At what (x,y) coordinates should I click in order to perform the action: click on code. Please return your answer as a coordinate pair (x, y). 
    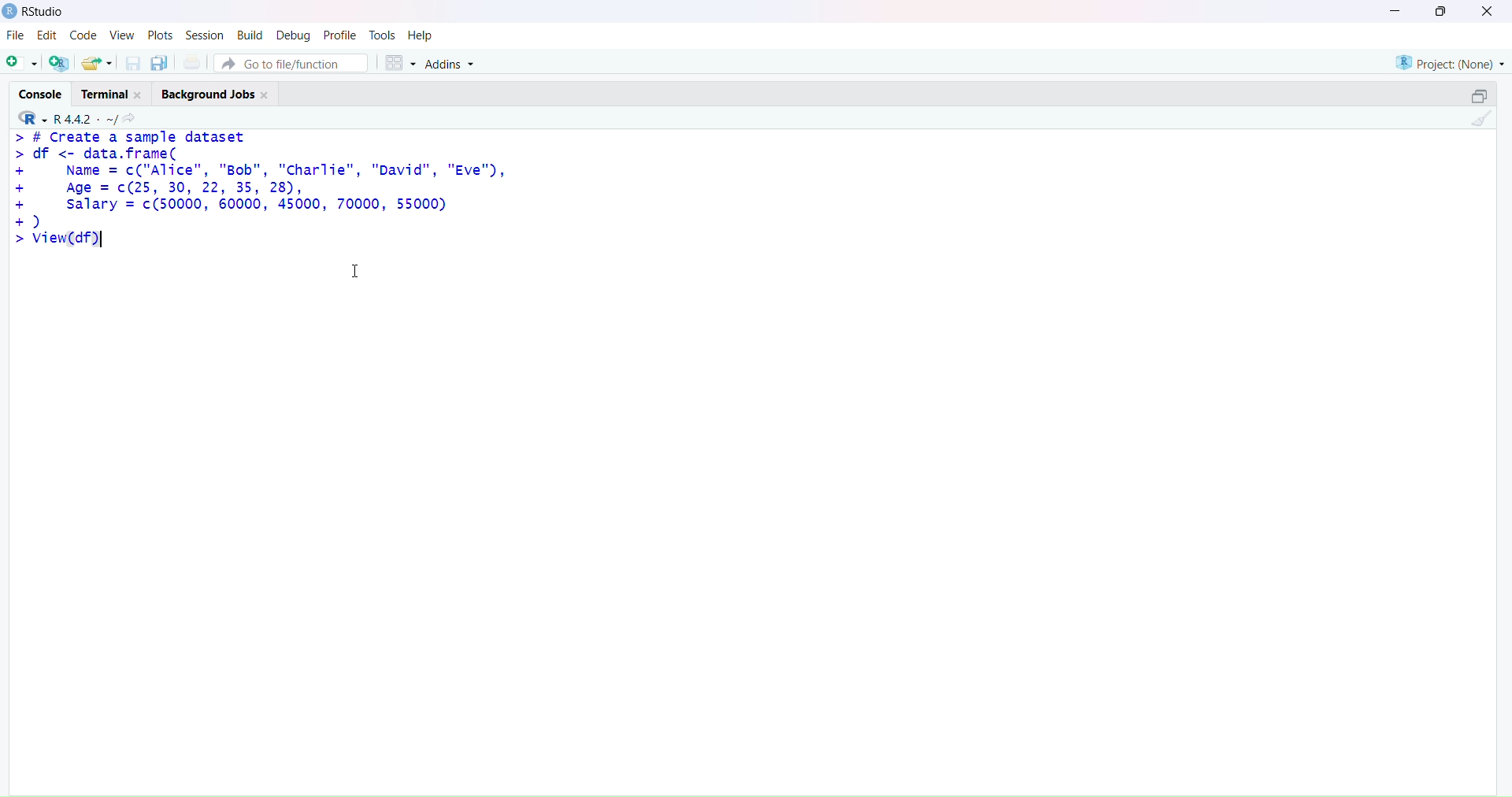
    Looking at the image, I should click on (86, 35).